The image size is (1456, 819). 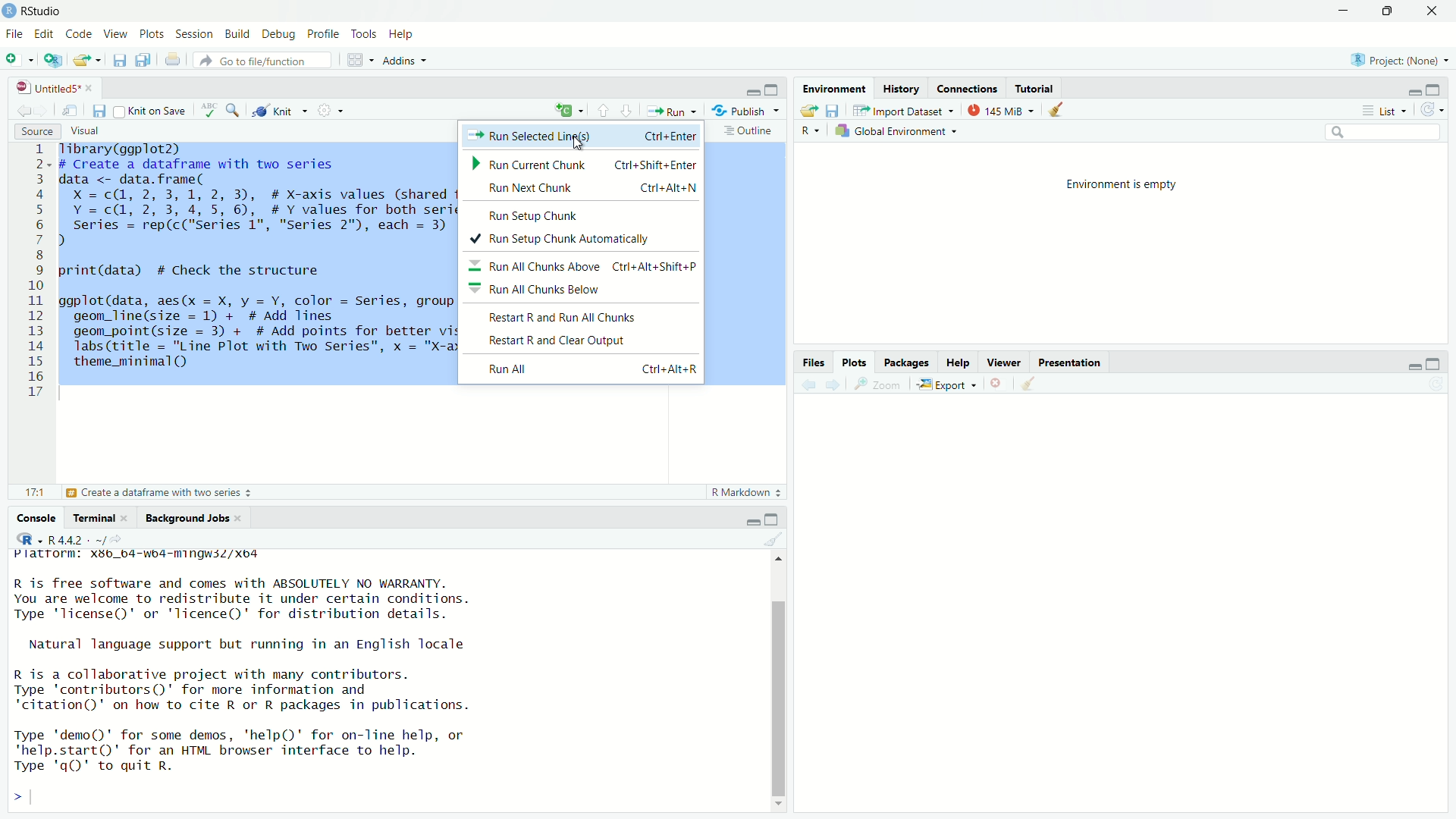 I want to click on Code, so click(x=77, y=36).